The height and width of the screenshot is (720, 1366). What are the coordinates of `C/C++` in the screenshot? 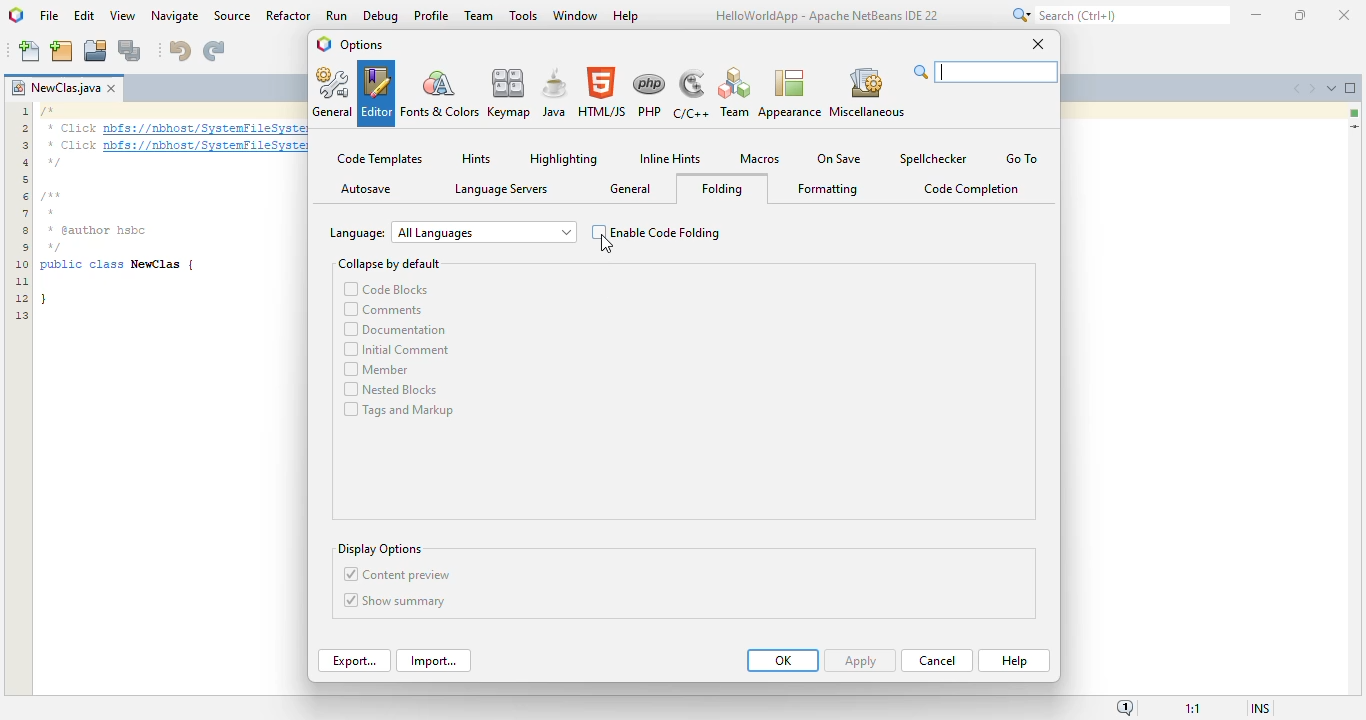 It's located at (693, 94).